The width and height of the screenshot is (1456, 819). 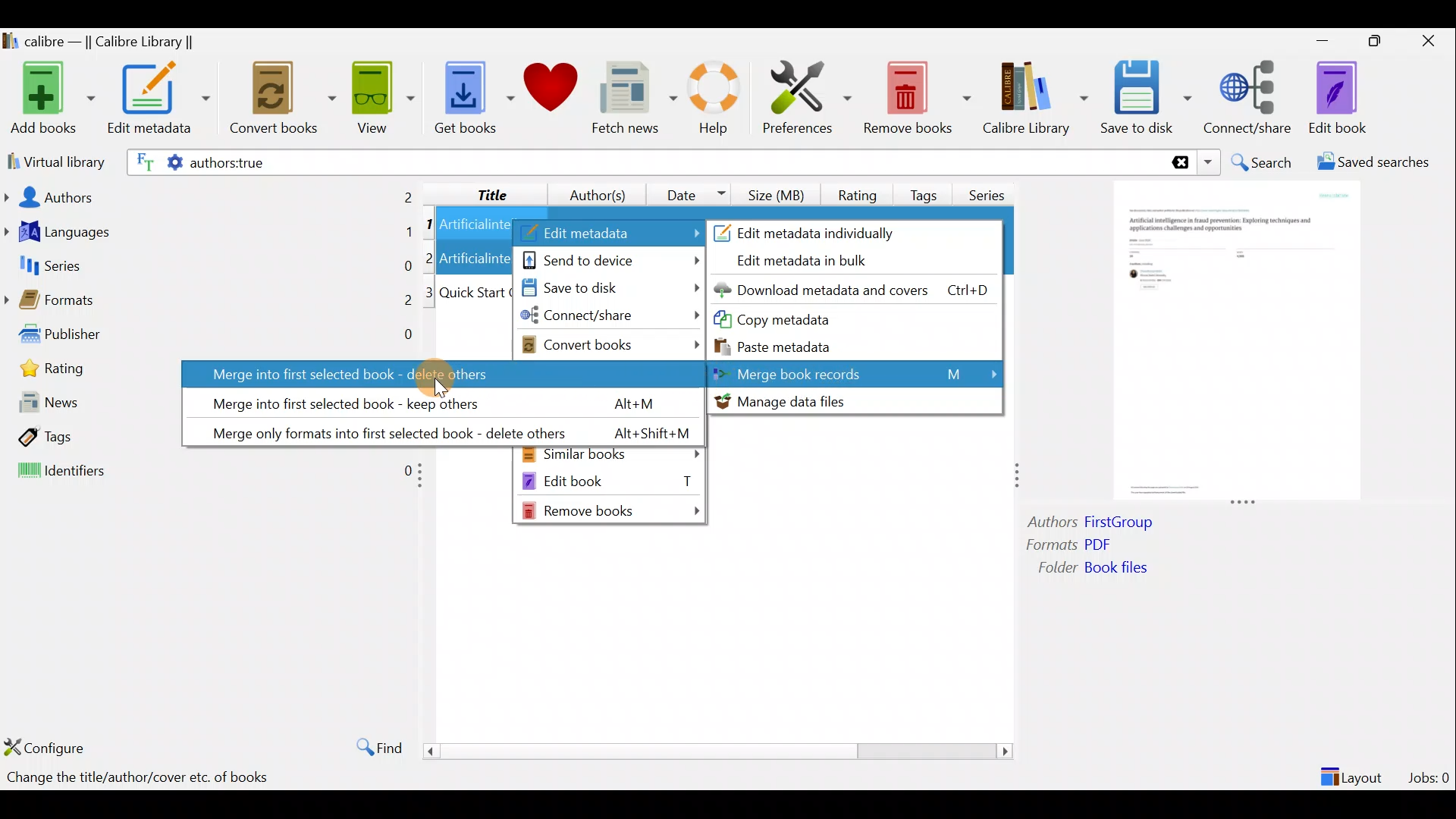 What do you see at coordinates (1250, 95) in the screenshot?
I see `Connect/share` at bounding box center [1250, 95].